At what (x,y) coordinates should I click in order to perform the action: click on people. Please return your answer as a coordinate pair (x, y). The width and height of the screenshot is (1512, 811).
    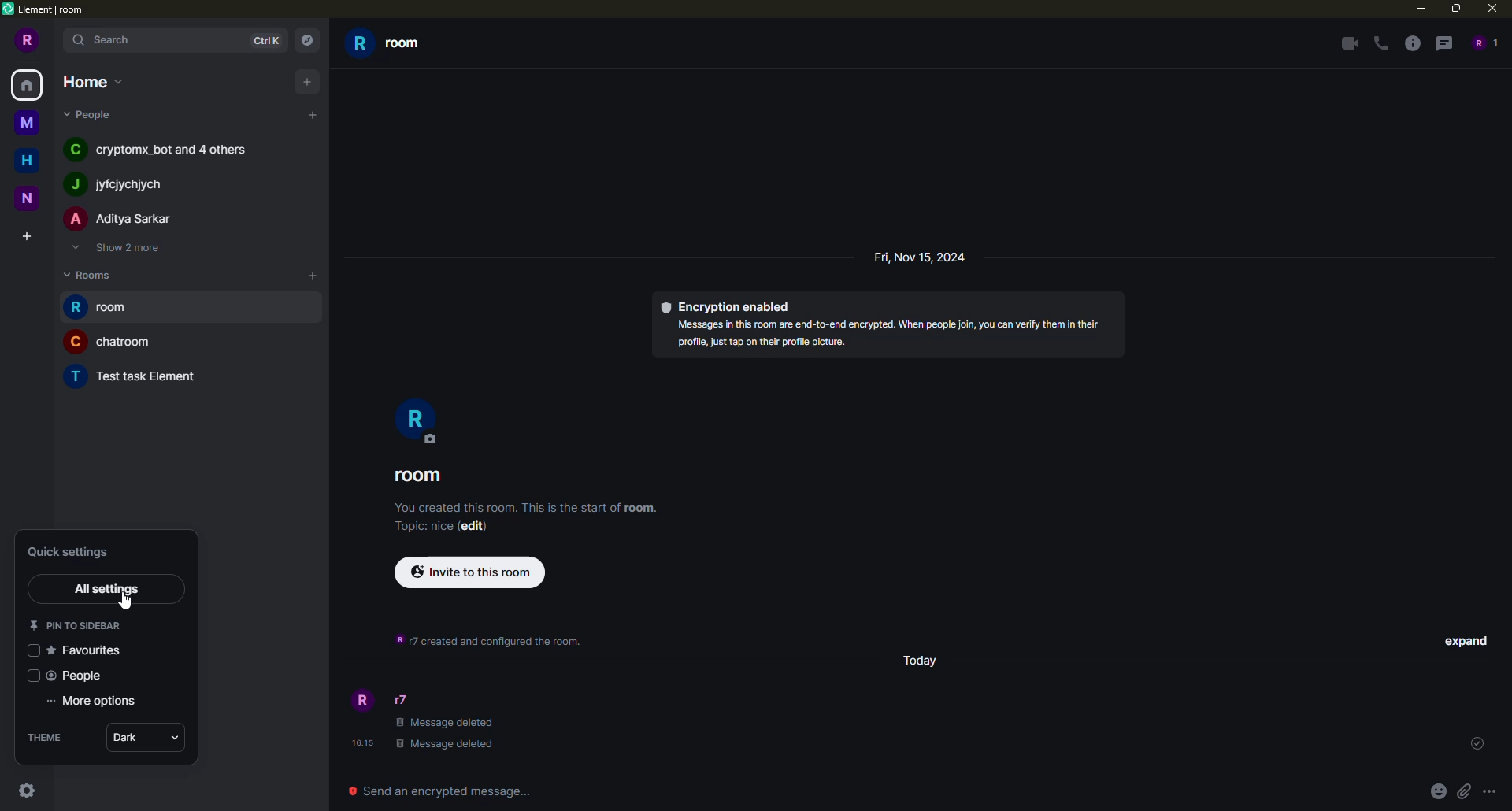
    Looking at the image, I should click on (121, 220).